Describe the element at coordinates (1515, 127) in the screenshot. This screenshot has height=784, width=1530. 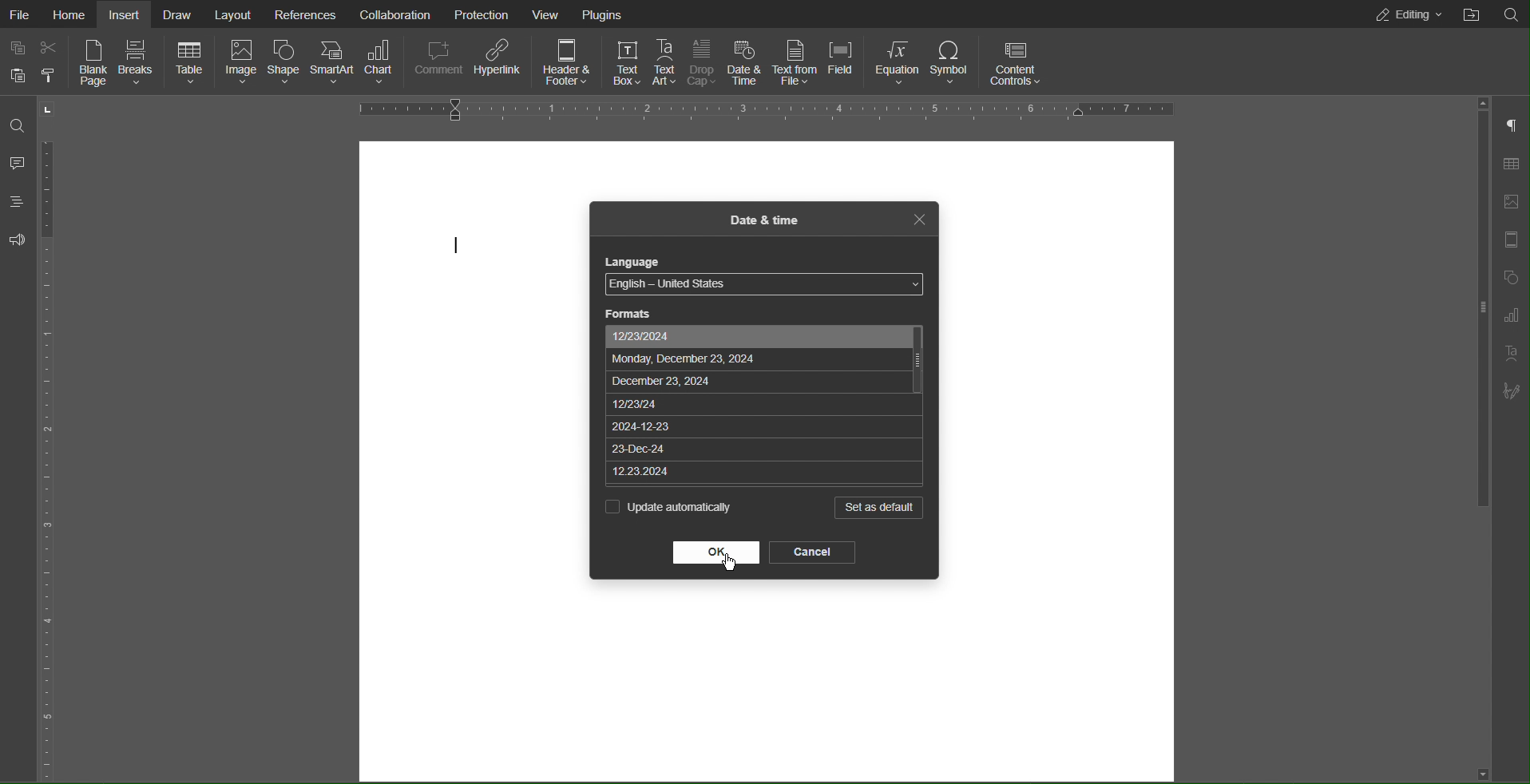
I see `Paragraph Settings` at that location.